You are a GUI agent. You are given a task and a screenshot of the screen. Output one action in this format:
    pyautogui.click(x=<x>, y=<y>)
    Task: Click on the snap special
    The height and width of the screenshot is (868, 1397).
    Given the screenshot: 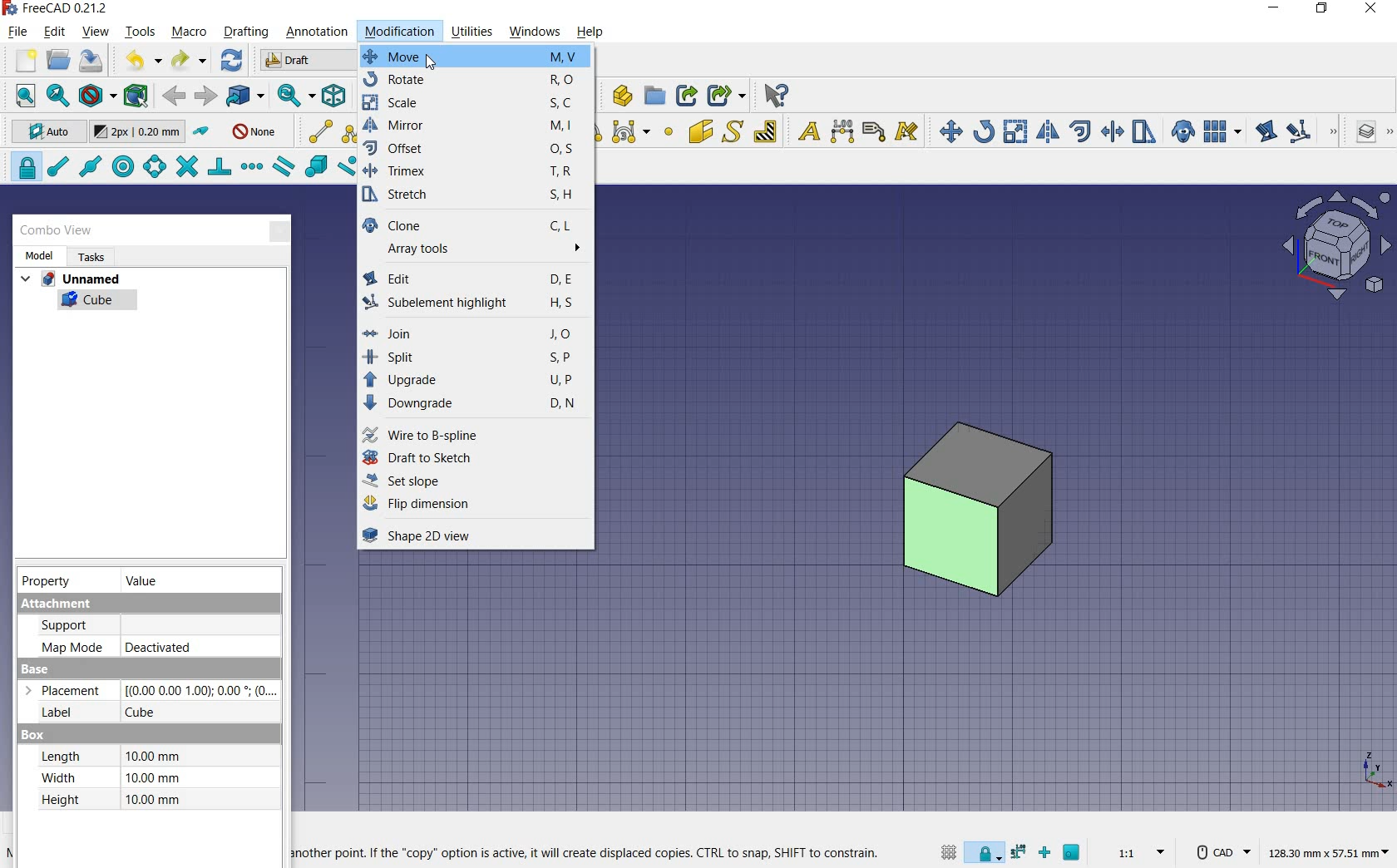 What is the action you would take?
    pyautogui.click(x=316, y=166)
    